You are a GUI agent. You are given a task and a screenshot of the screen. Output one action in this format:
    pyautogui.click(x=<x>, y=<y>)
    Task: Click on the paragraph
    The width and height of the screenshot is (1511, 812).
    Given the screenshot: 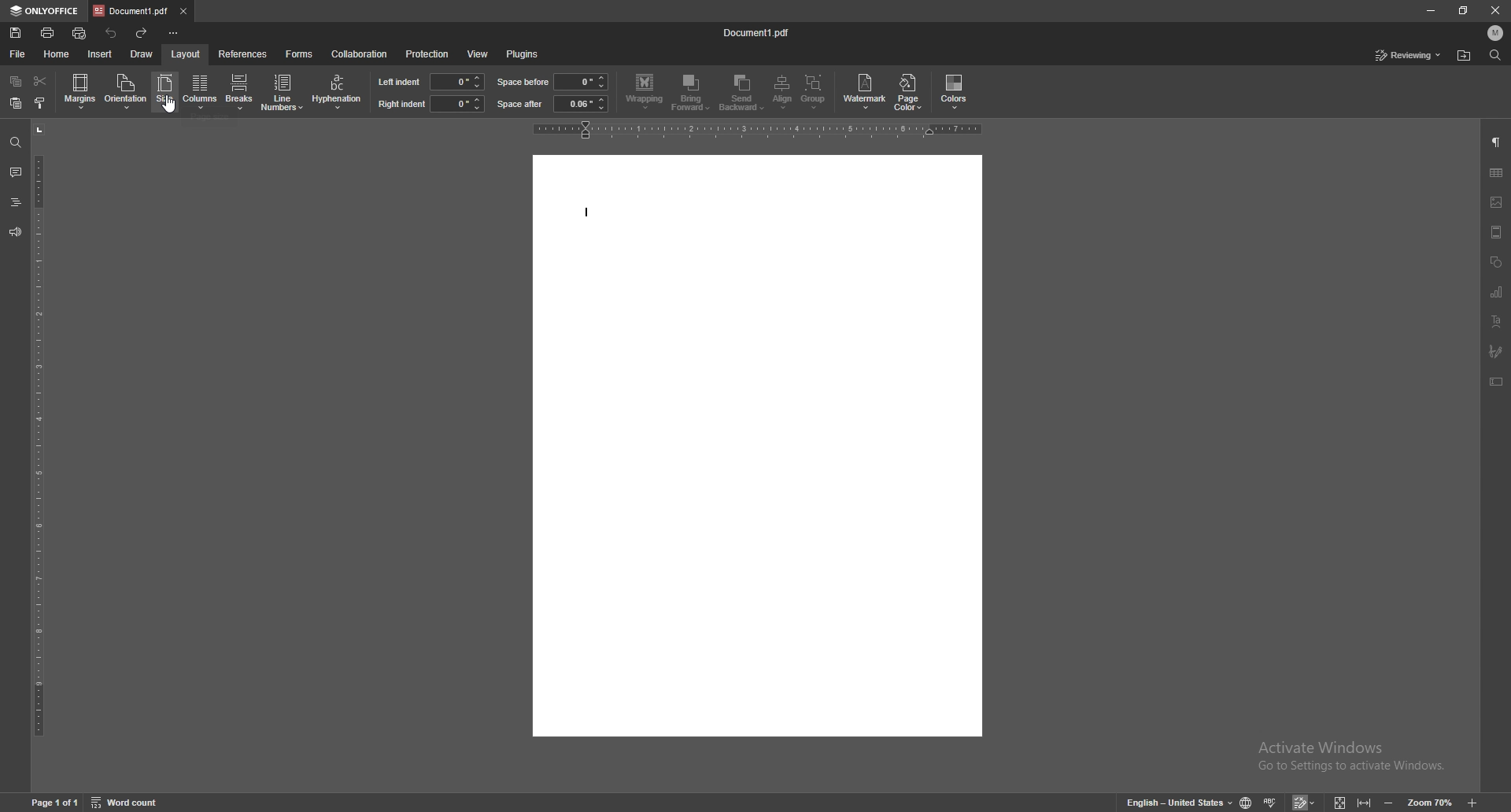 What is the action you would take?
    pyautogui.click(x=1496, y=143)
    